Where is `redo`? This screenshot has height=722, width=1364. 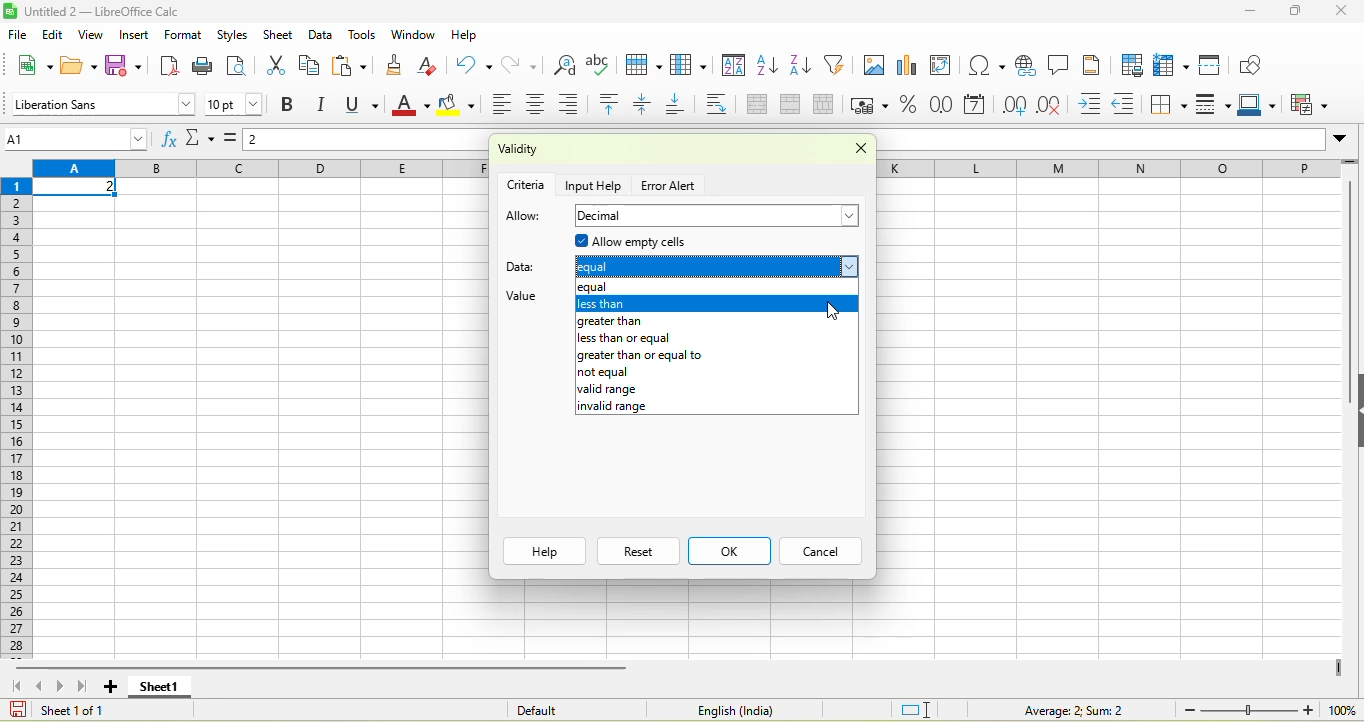
redo is located at coordinates (526, 64).